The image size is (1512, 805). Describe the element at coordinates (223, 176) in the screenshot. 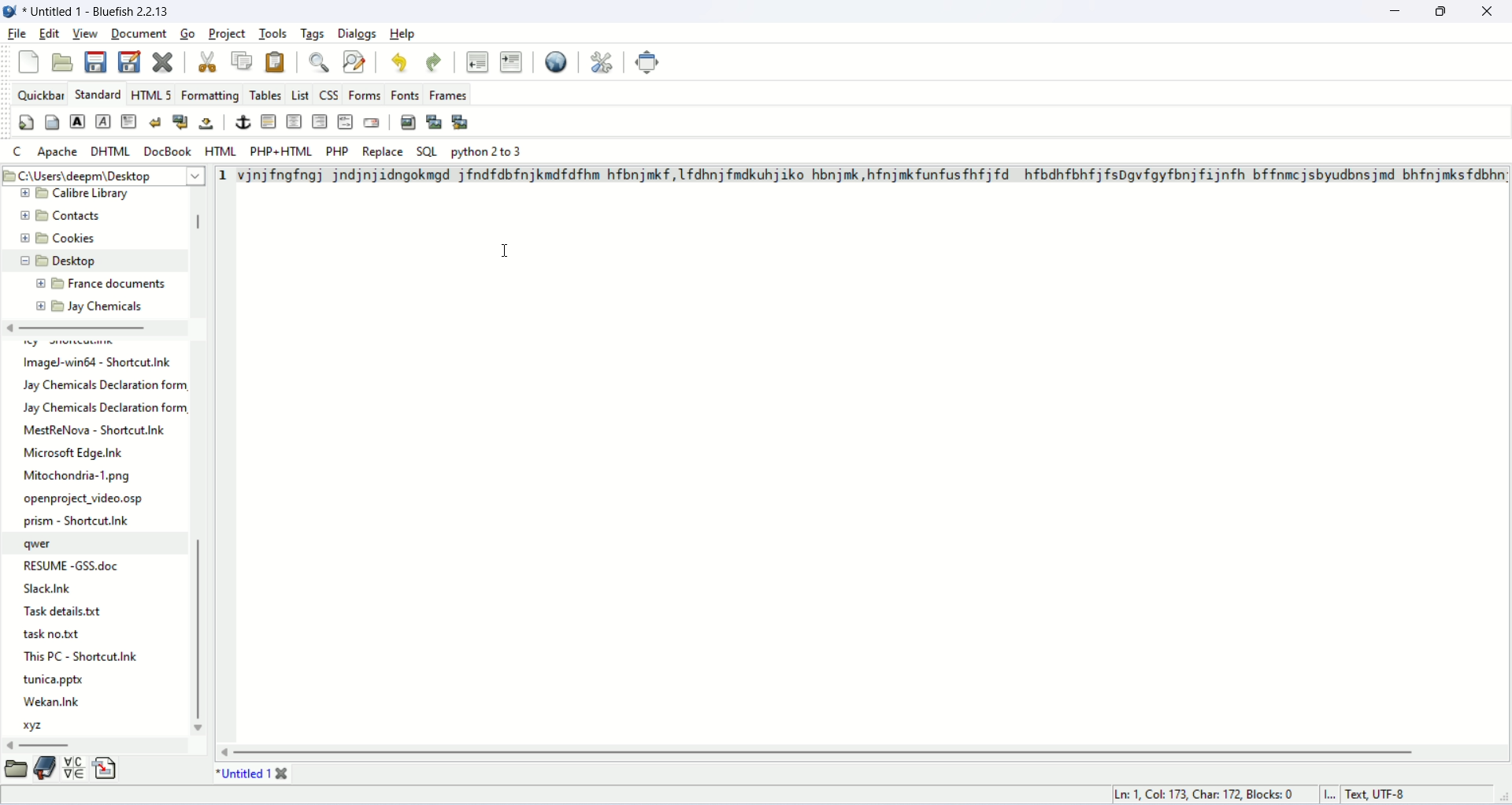

I see `line number` at that location.